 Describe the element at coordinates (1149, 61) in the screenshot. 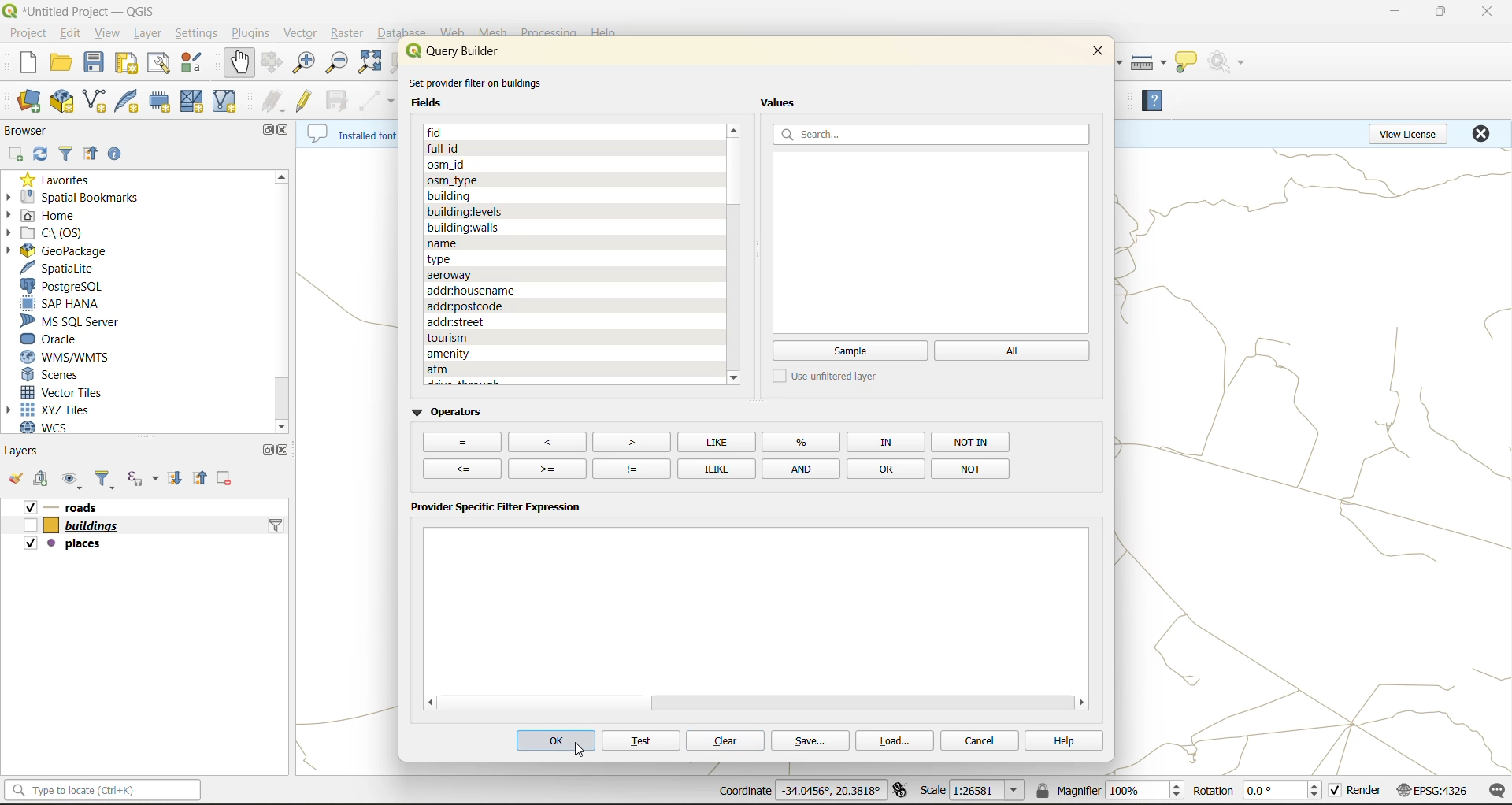

I see `measure line` at that location.